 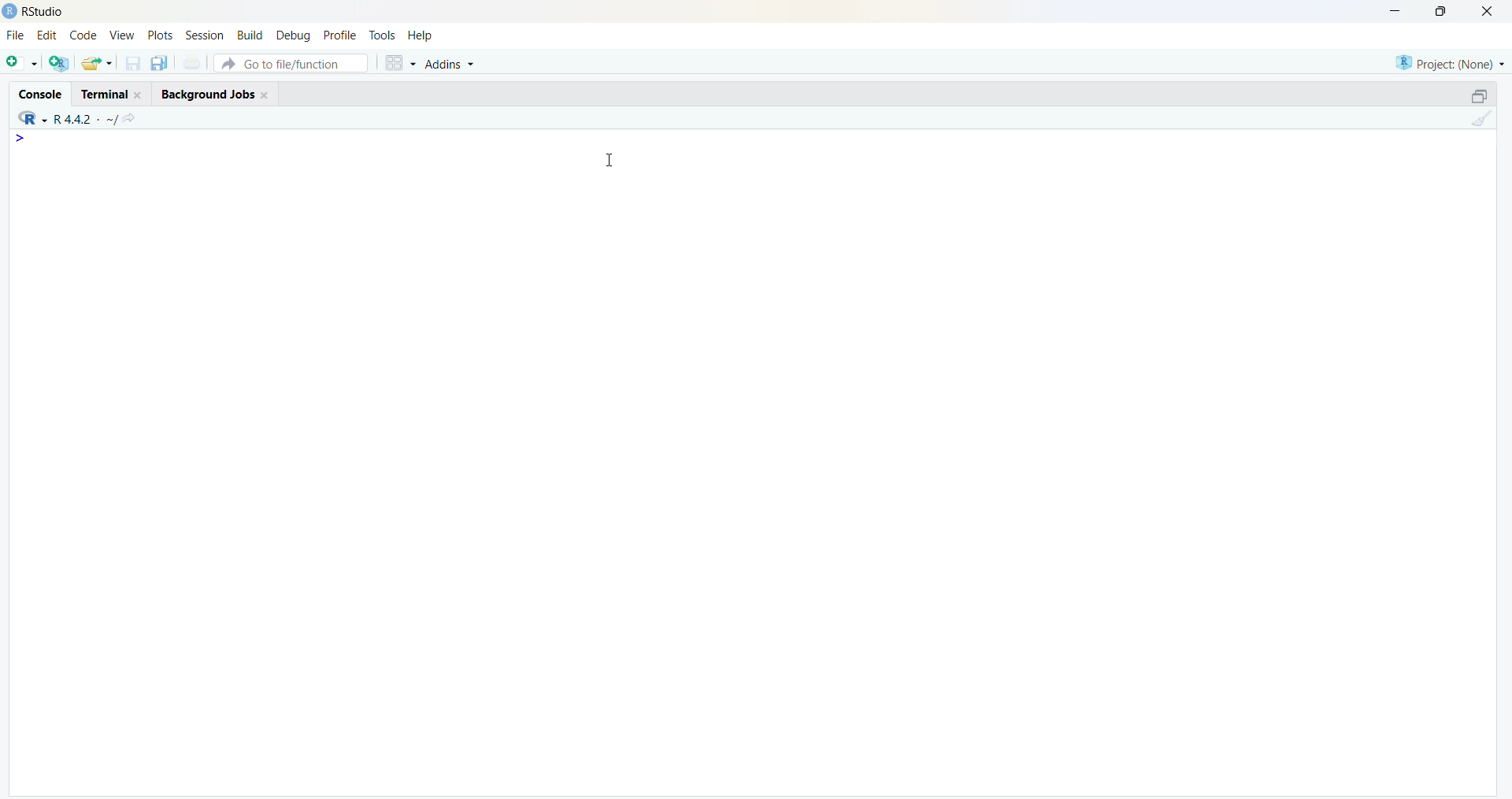 I want to click on R, so click(x=31, y=117).